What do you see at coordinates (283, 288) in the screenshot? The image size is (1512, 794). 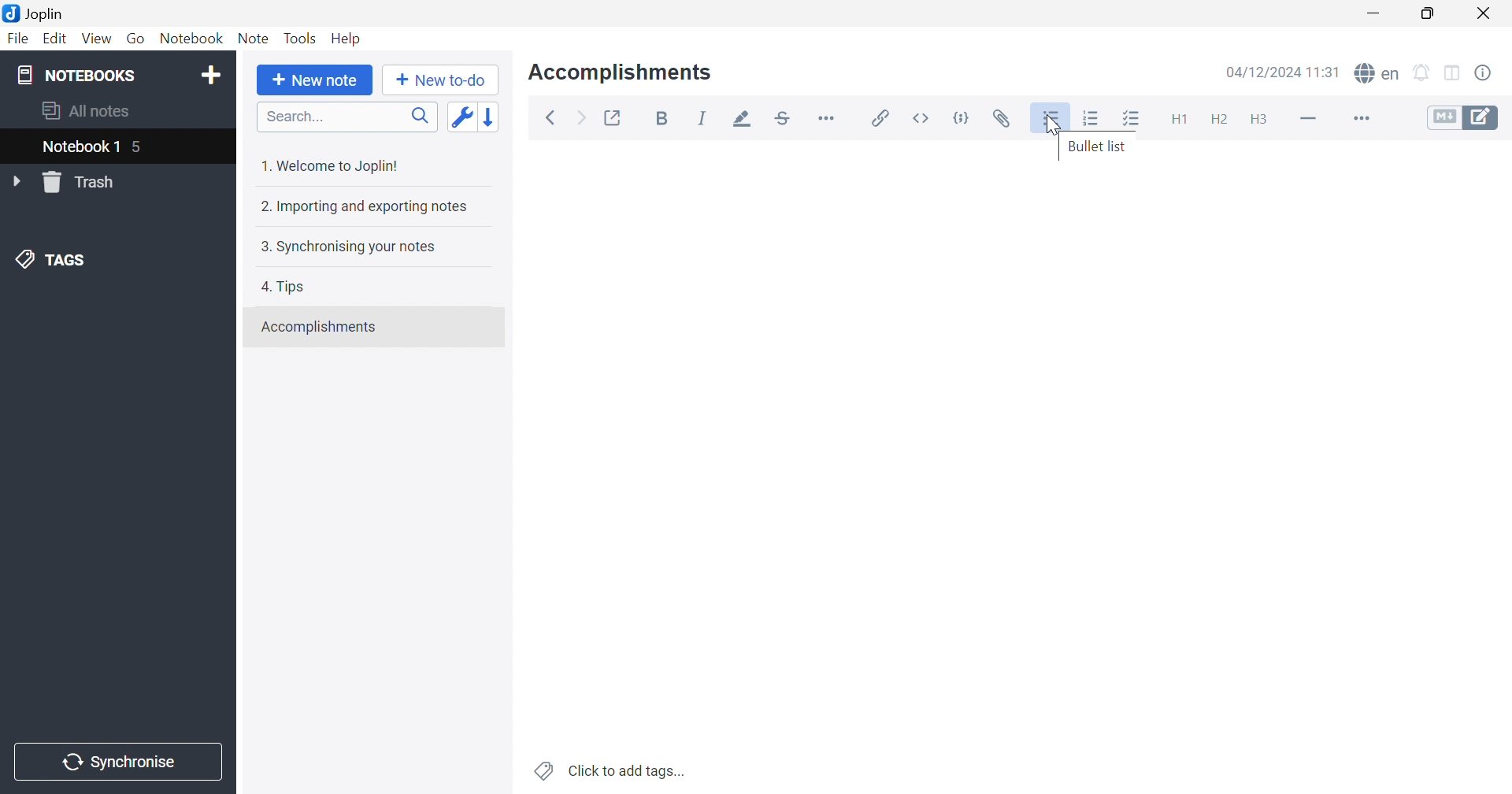 I see `4. Tips` at bounding box center [283, 288].